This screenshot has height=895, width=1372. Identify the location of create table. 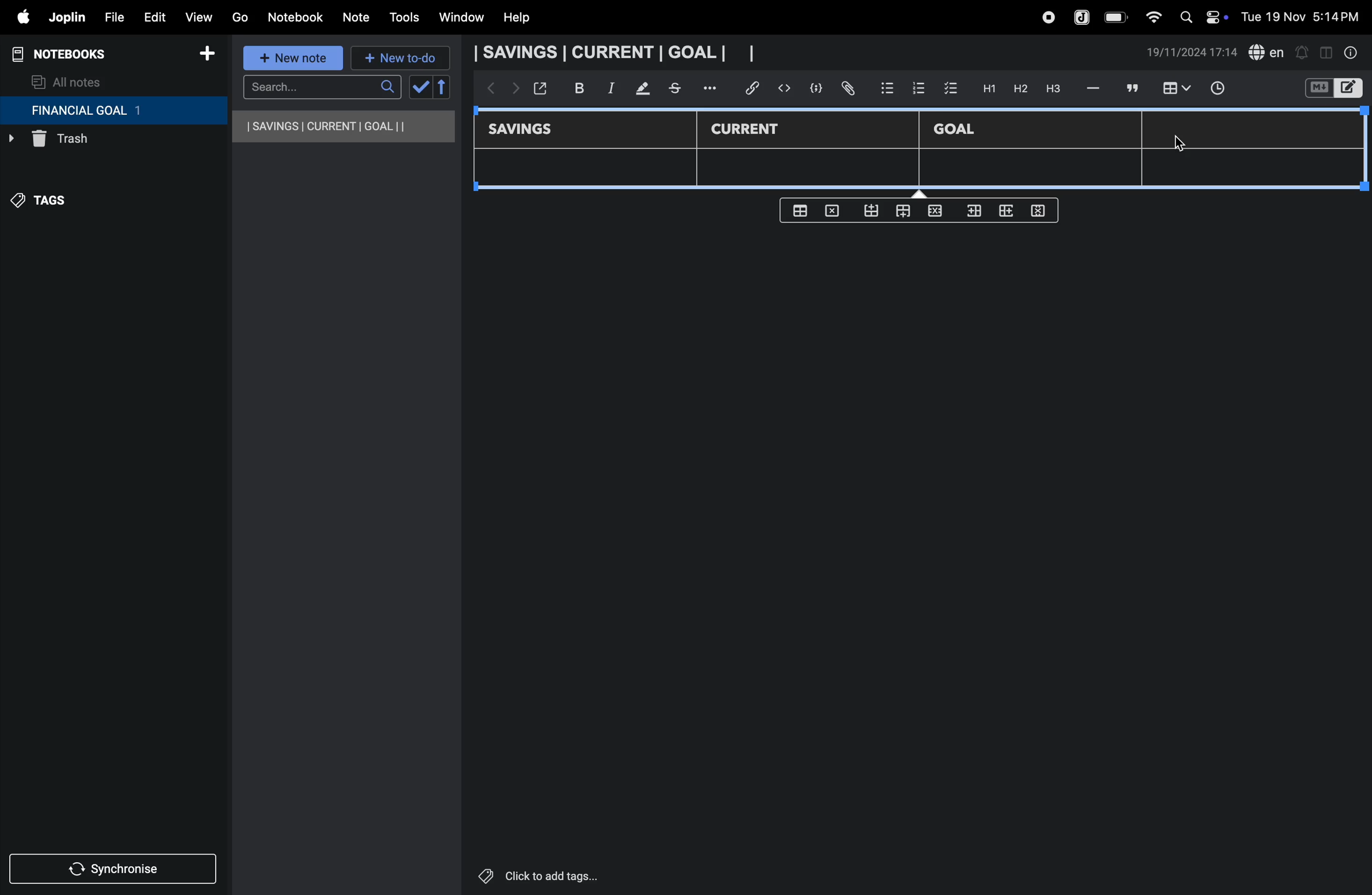
(800, 210).